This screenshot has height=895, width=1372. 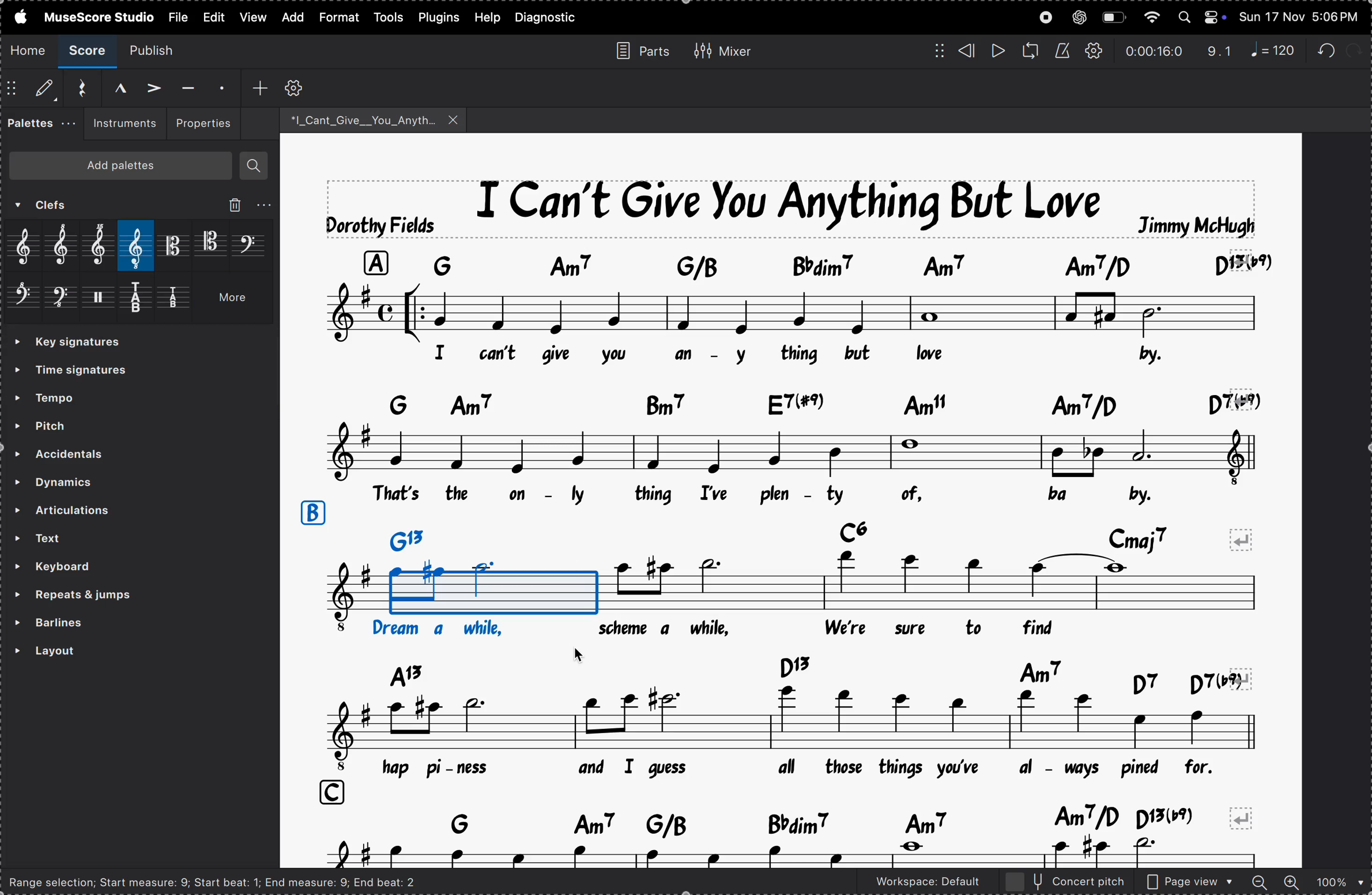 What do you see at coordinates (27, 247) in the screenshot?
I see `treble clef ` at bounding box center [27, 247].